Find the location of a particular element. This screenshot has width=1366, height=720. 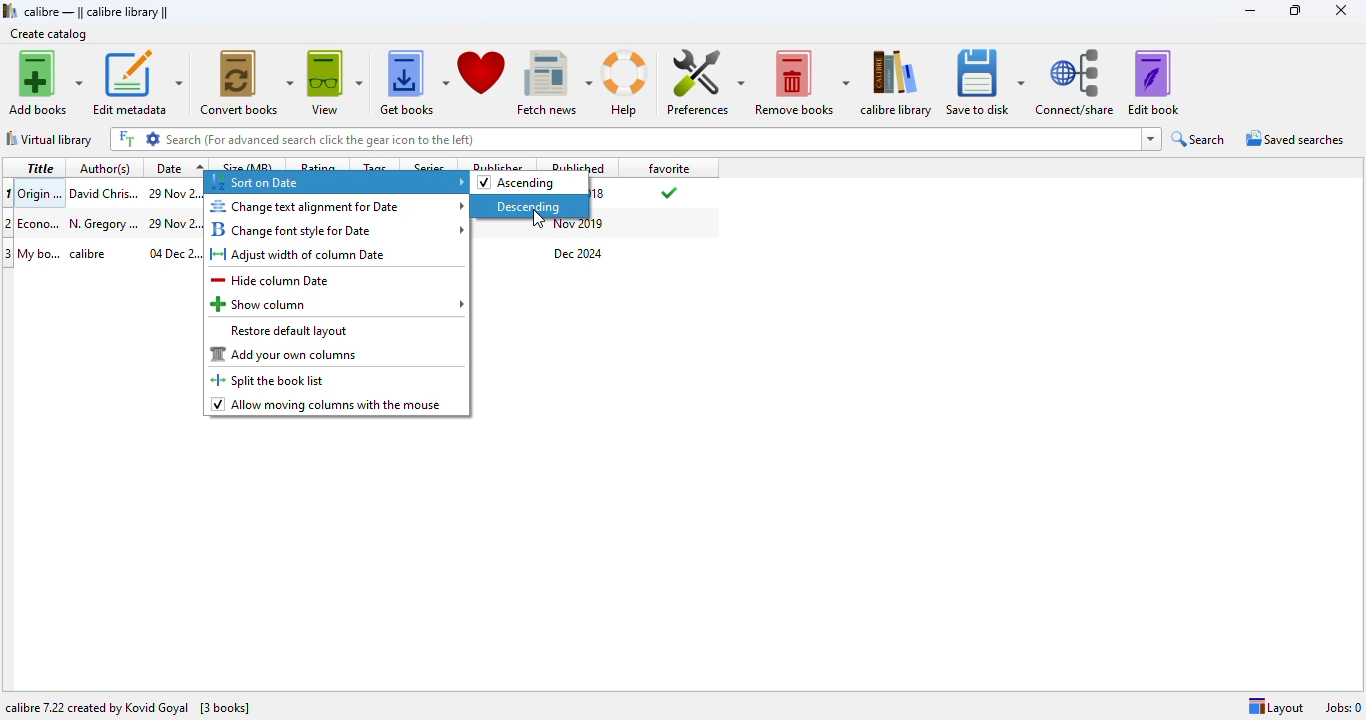

calibre library is located at coordinates (95, 11).